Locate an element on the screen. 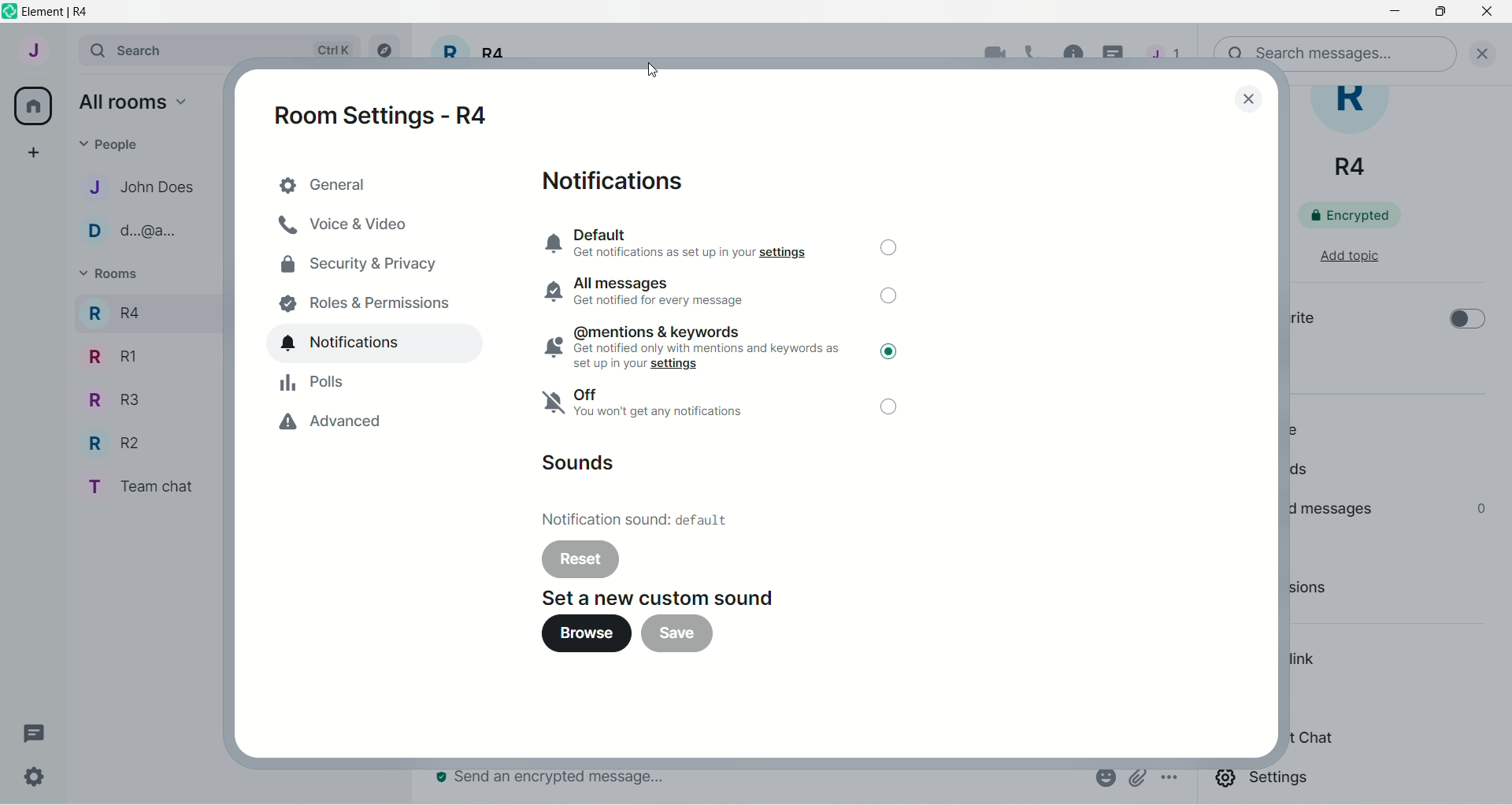 This screenshot has height=805, width=1512. favourite is located at coordinates (1301, 321).